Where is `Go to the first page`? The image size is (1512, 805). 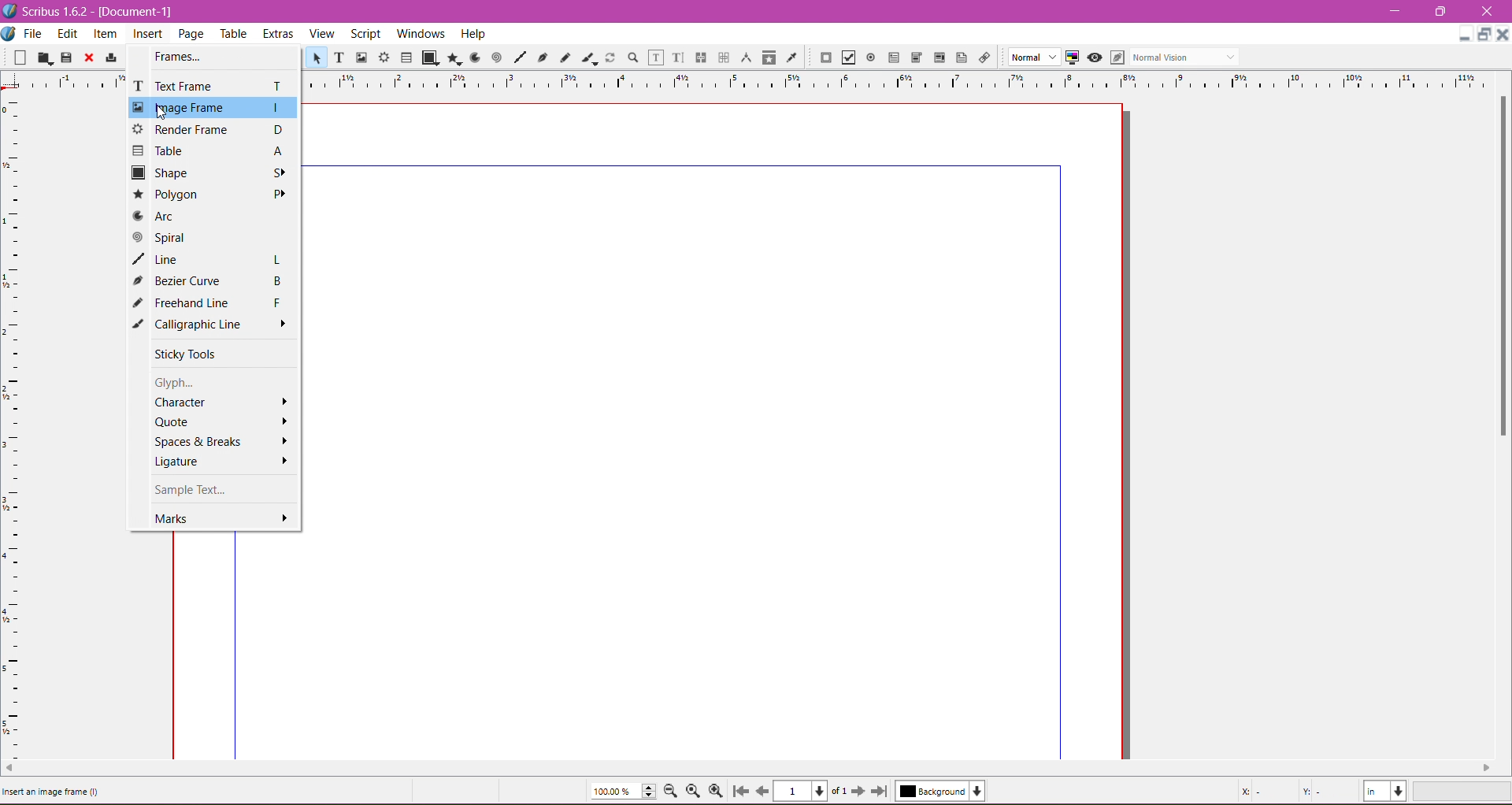 Go to the first page is located at coordinates (743, 791).